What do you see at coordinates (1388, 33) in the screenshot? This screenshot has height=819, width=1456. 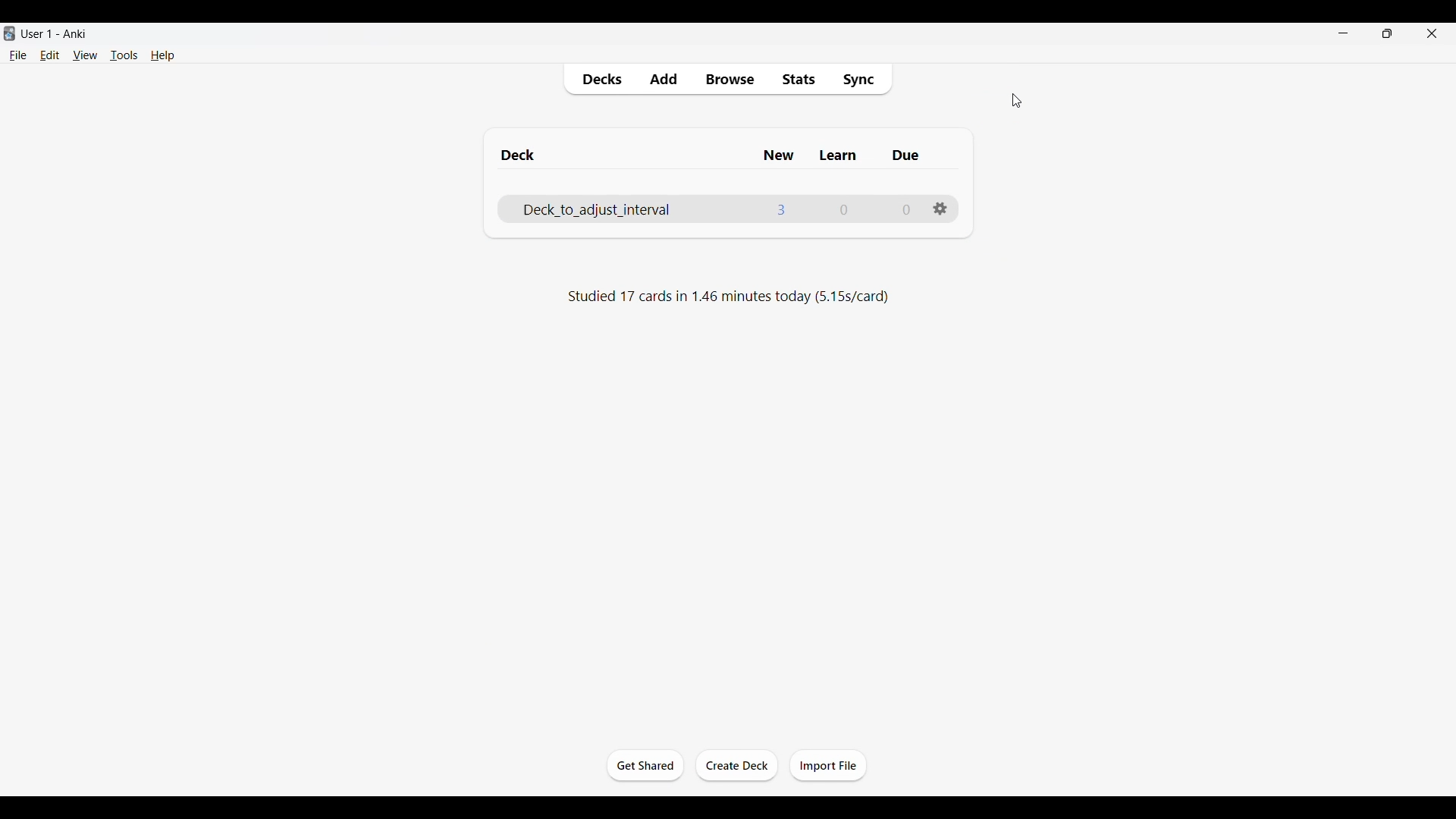 I see `Show interface in smaller tab` at bounding box center [1388, 33].